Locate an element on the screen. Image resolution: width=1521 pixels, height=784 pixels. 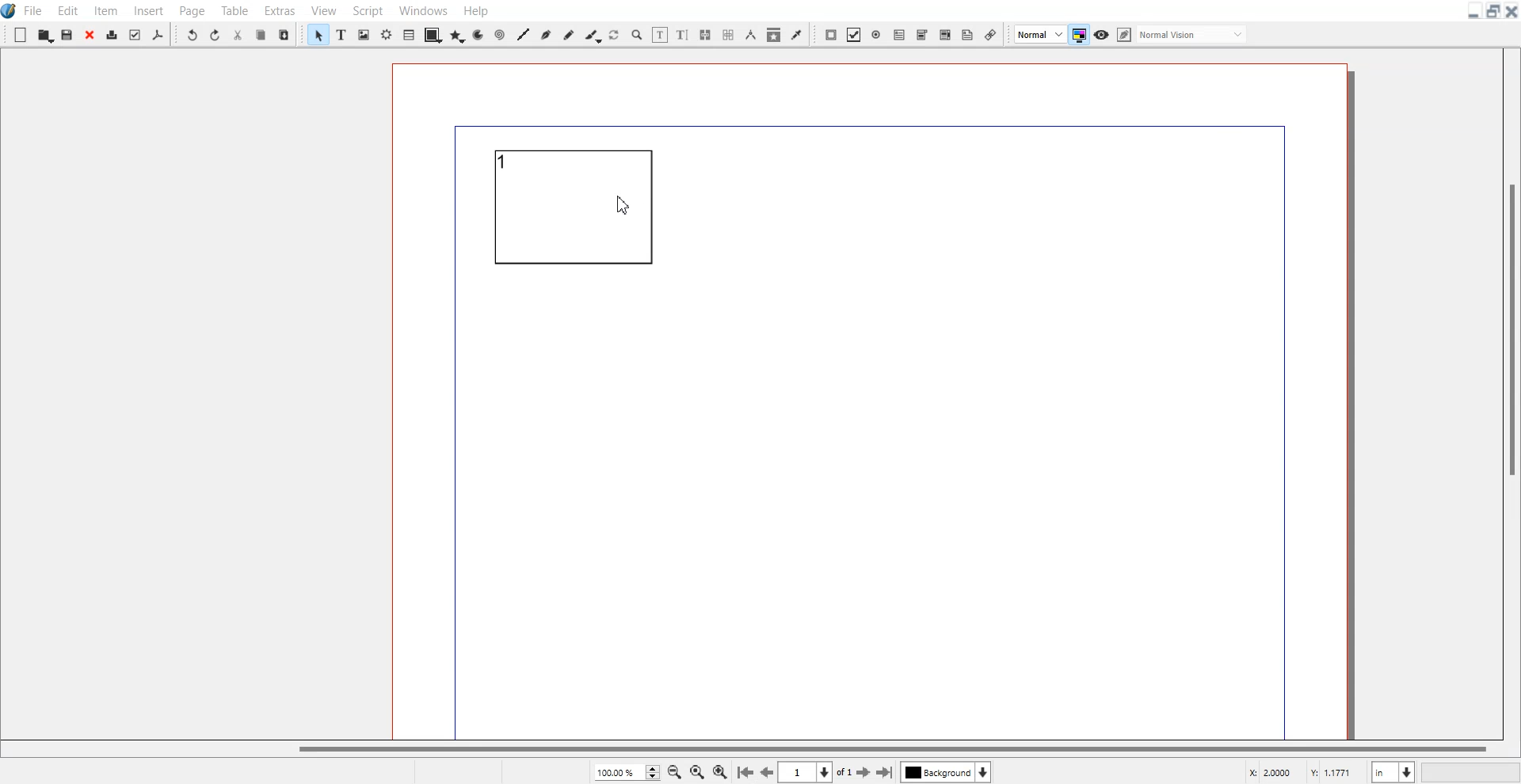
PDF Push Button is located at coordinates (830, 35).